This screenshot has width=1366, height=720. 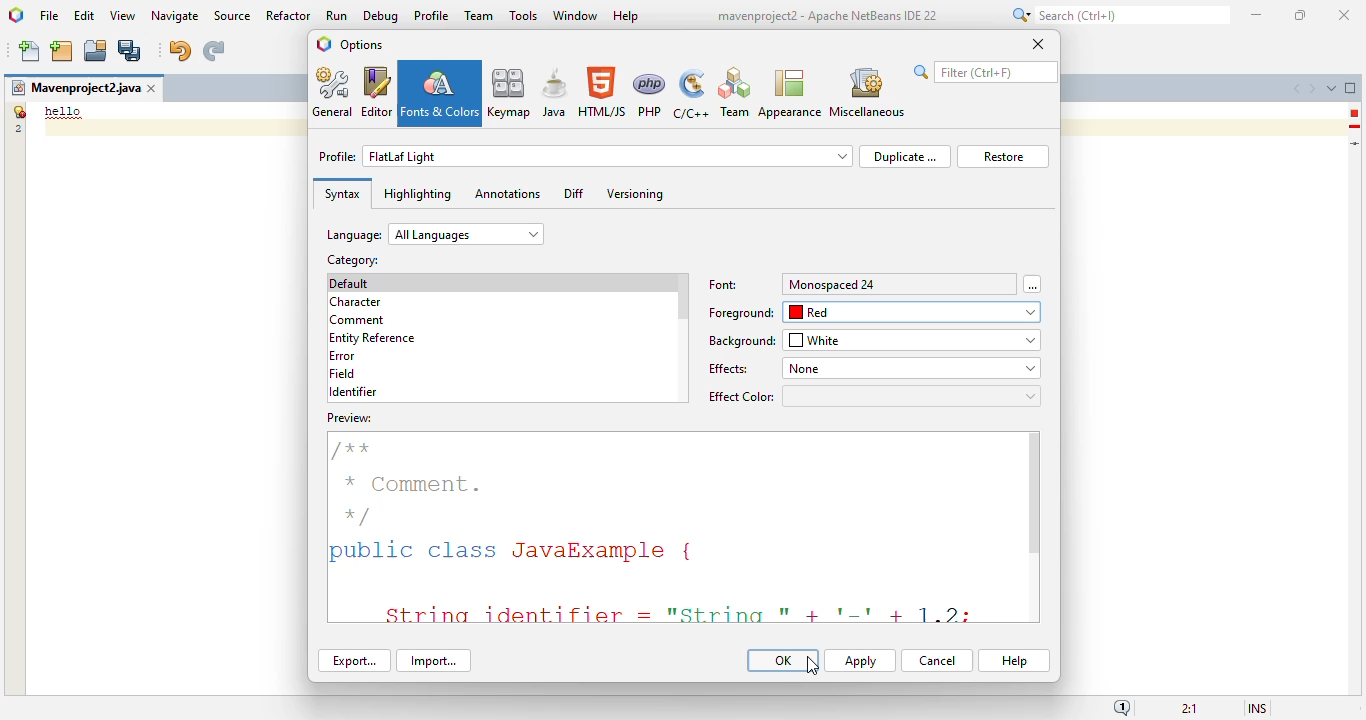 I want to click on logo, so click(x=324, y=44).